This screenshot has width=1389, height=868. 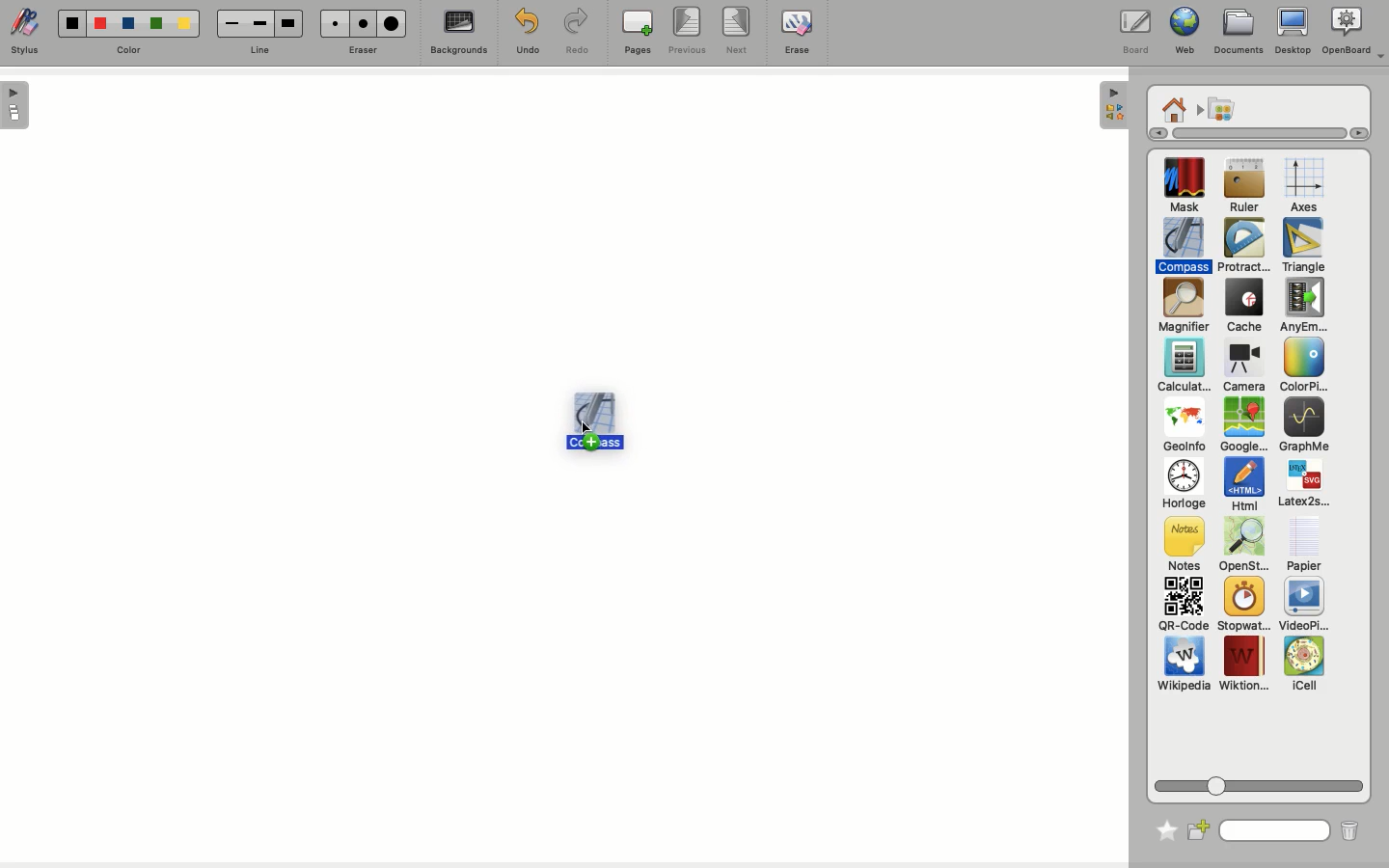 I want to click on Wiktion, so click(x=1244, y=665).